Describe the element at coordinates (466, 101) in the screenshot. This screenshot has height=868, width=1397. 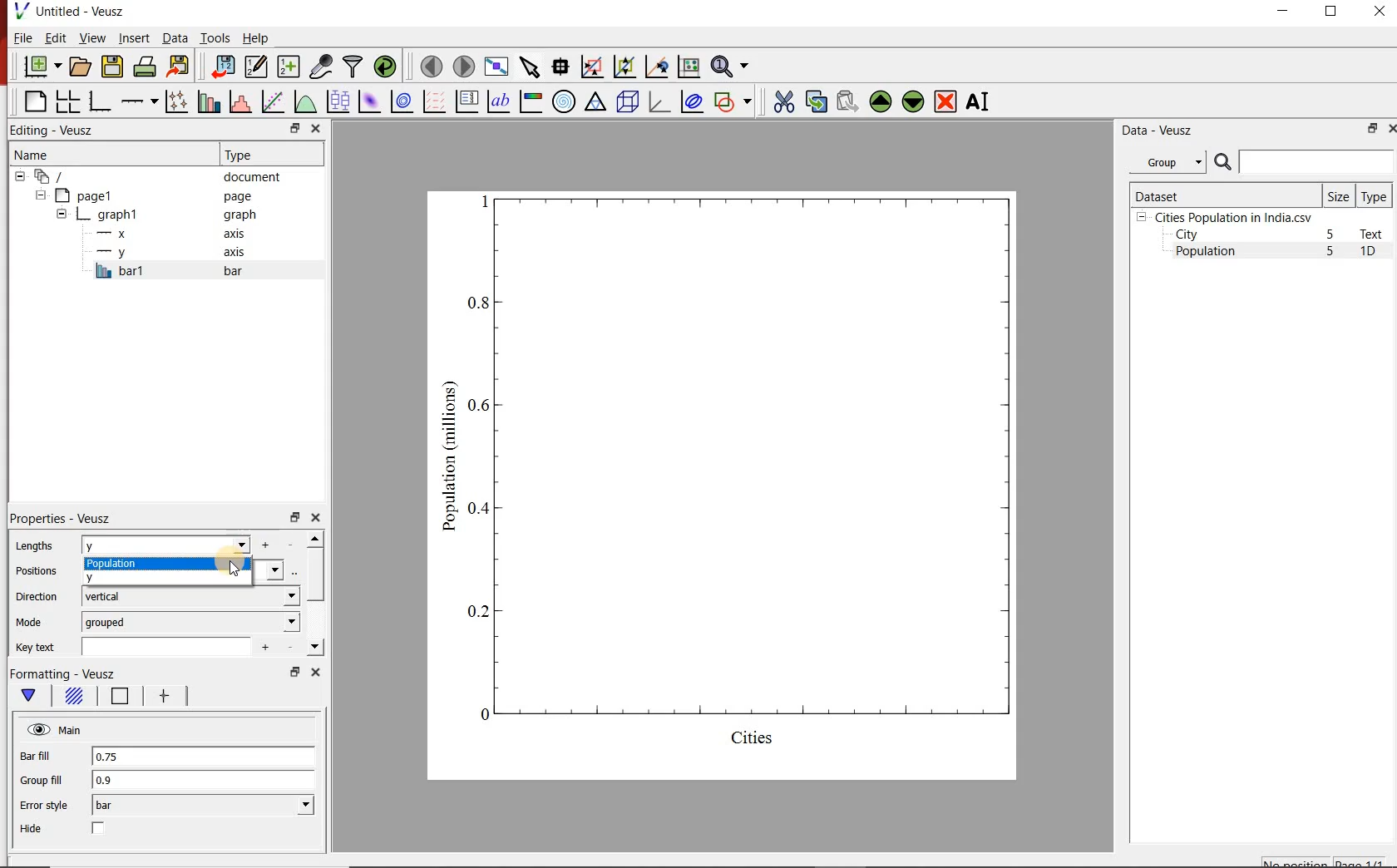
I see `plot key` at that location.